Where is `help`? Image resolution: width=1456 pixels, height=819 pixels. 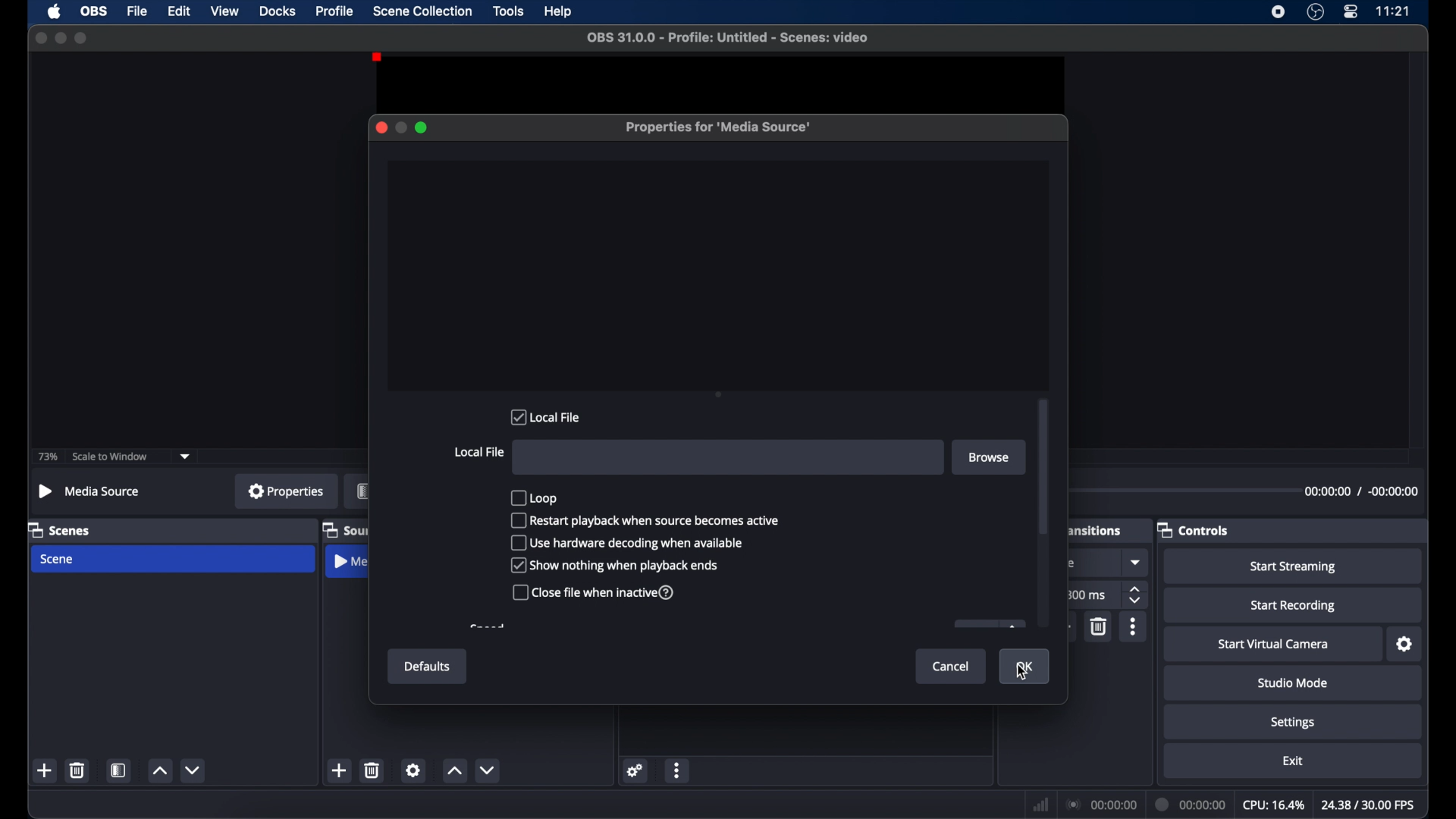
help is located at coordinates (560, 11).